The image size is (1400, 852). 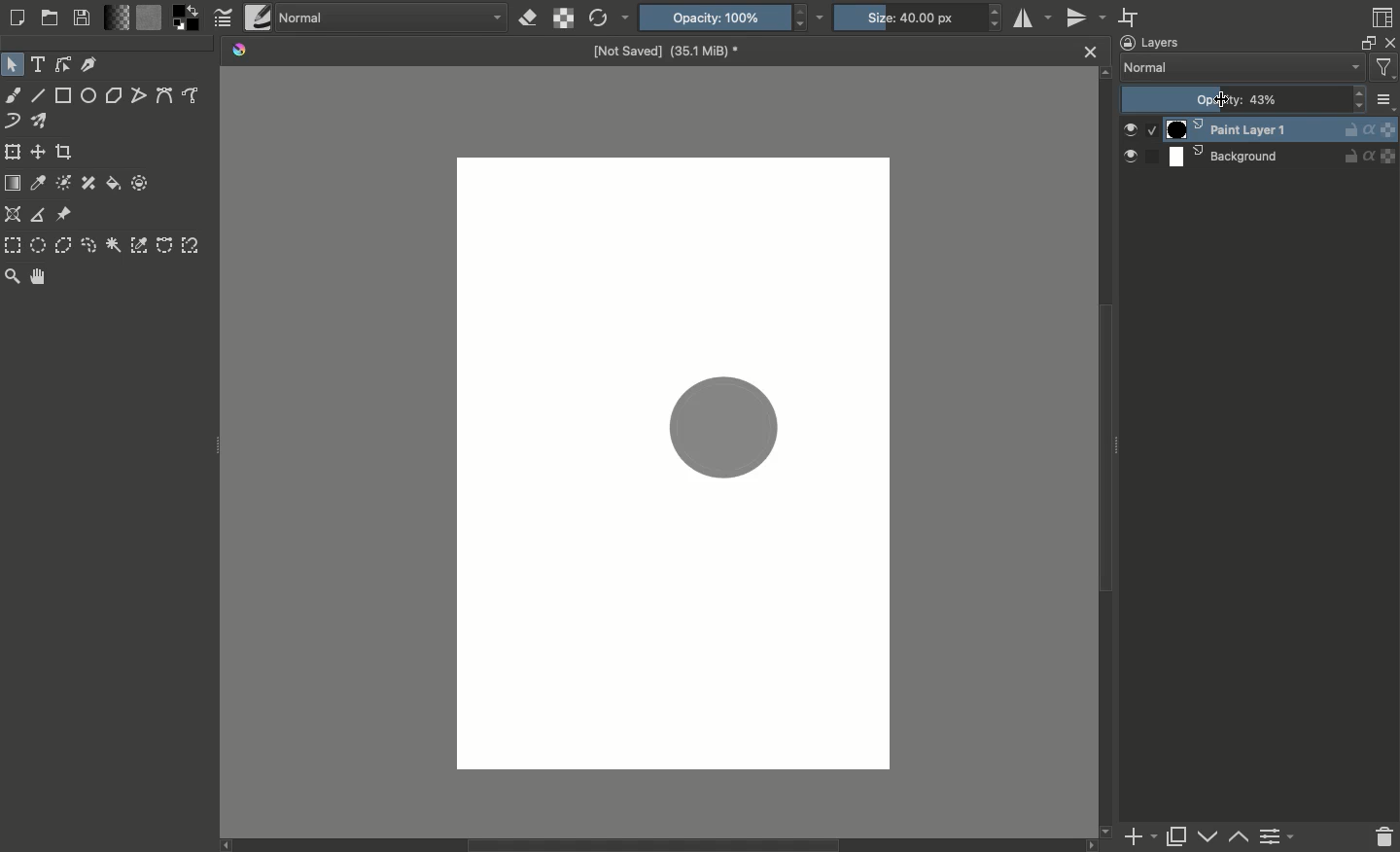 What do you see at coordinates (1389, 129) in the screenshot?
I see `layer` at bounding box center [1389, 129].